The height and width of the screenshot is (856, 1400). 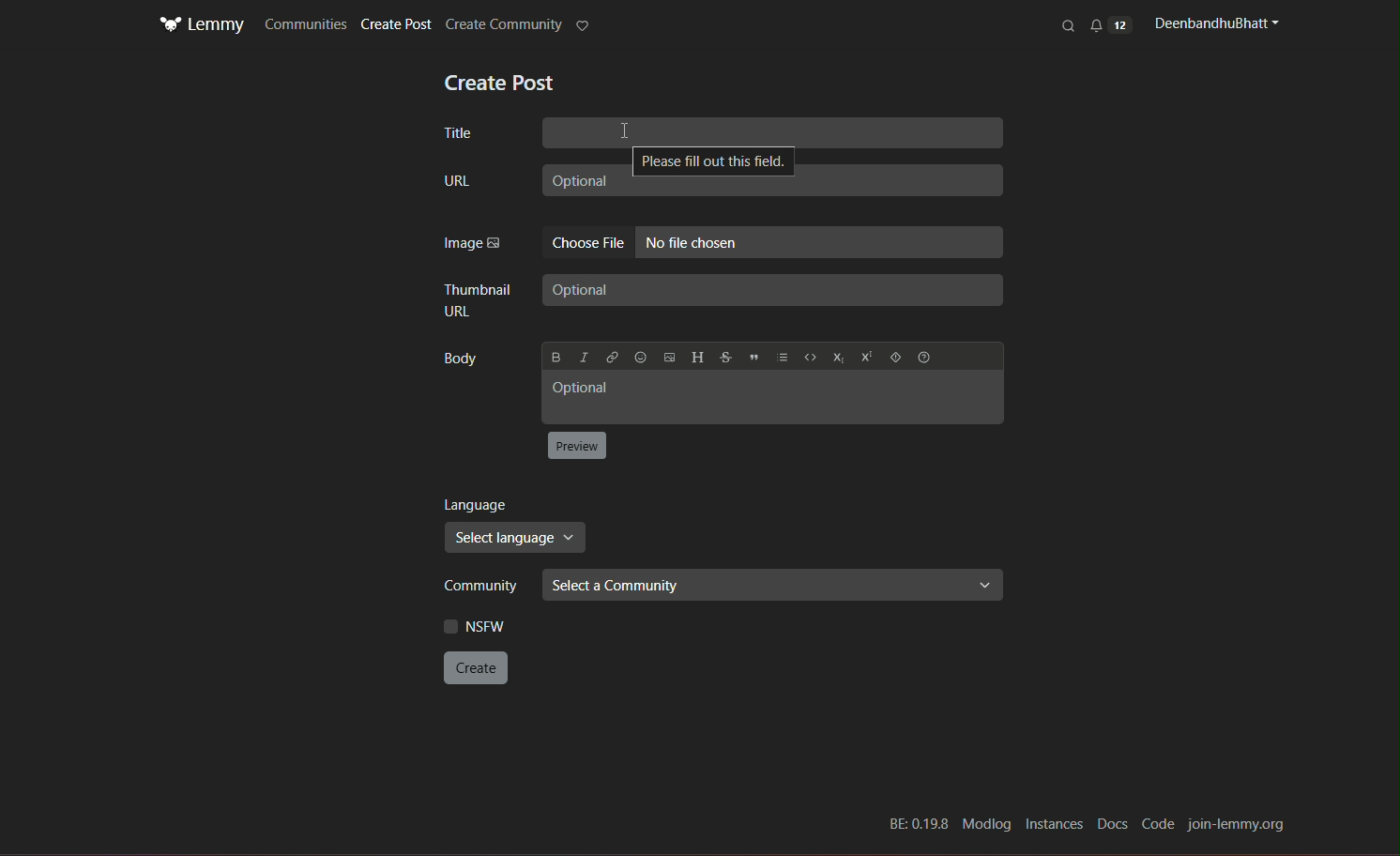 I want to click on Quote, so click(x=751, y=357).